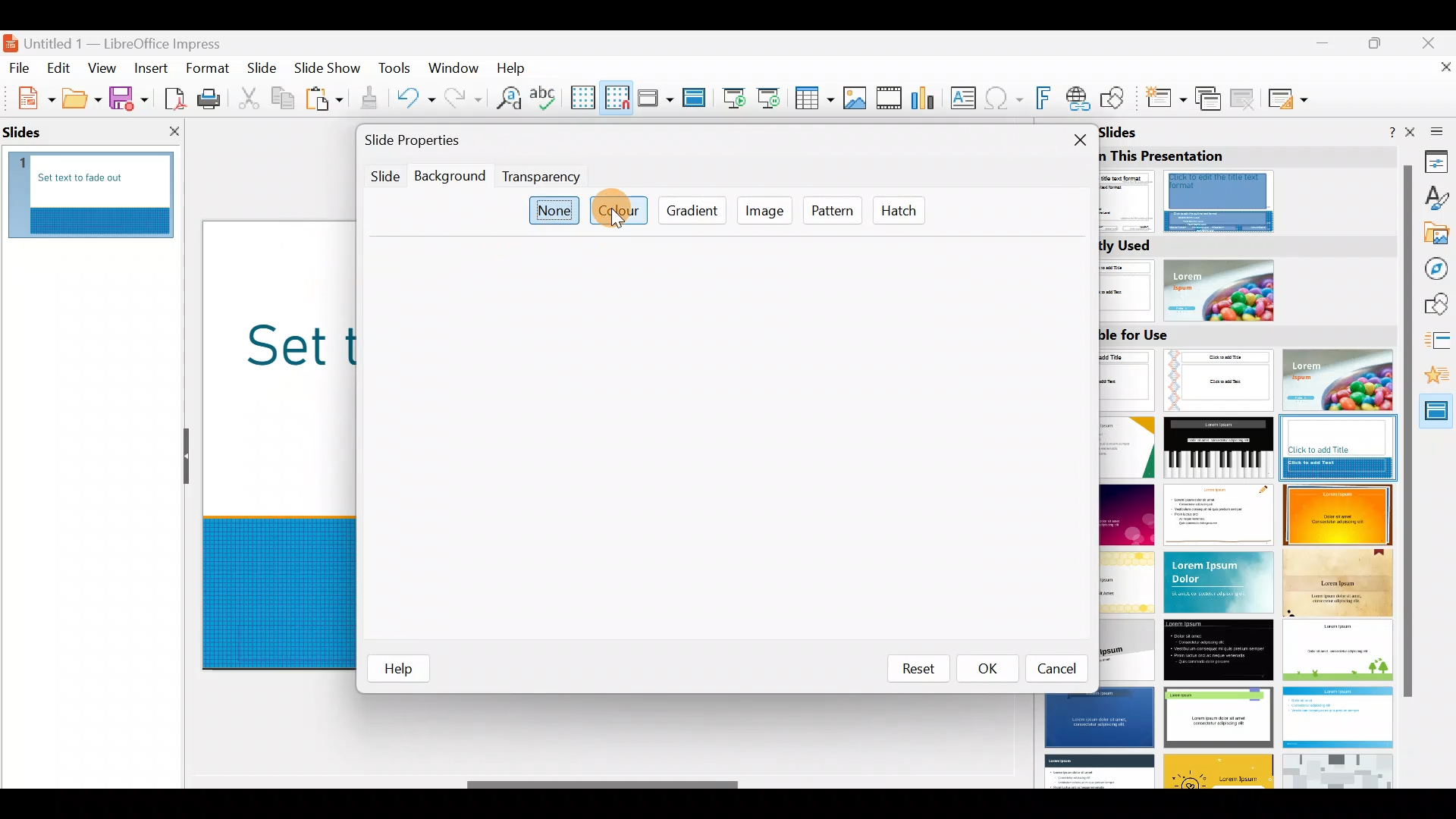 This screenshot has width=1456, height=819. I want to click on Save, so click(128, 97).